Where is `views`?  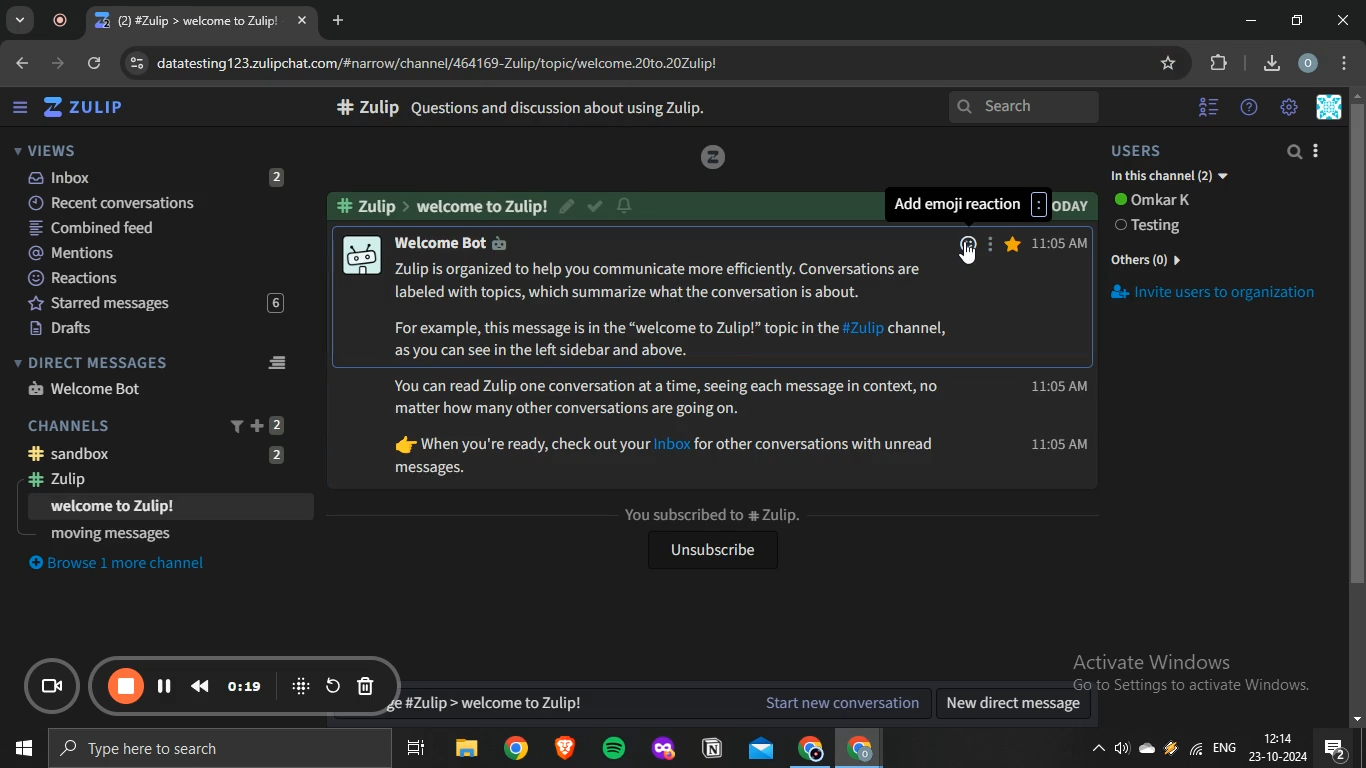 views is located at coordinates (45, 150).